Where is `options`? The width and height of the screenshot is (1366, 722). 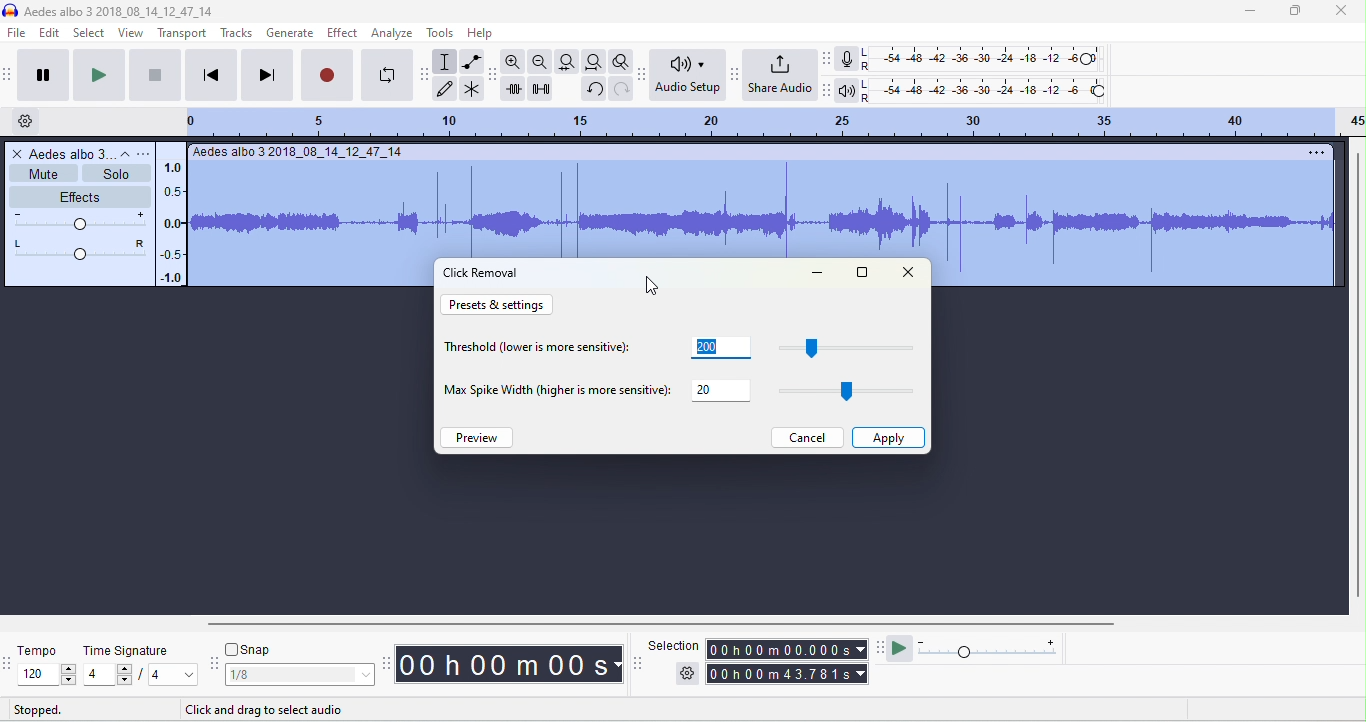 options is located at coordinates (1316, 153).